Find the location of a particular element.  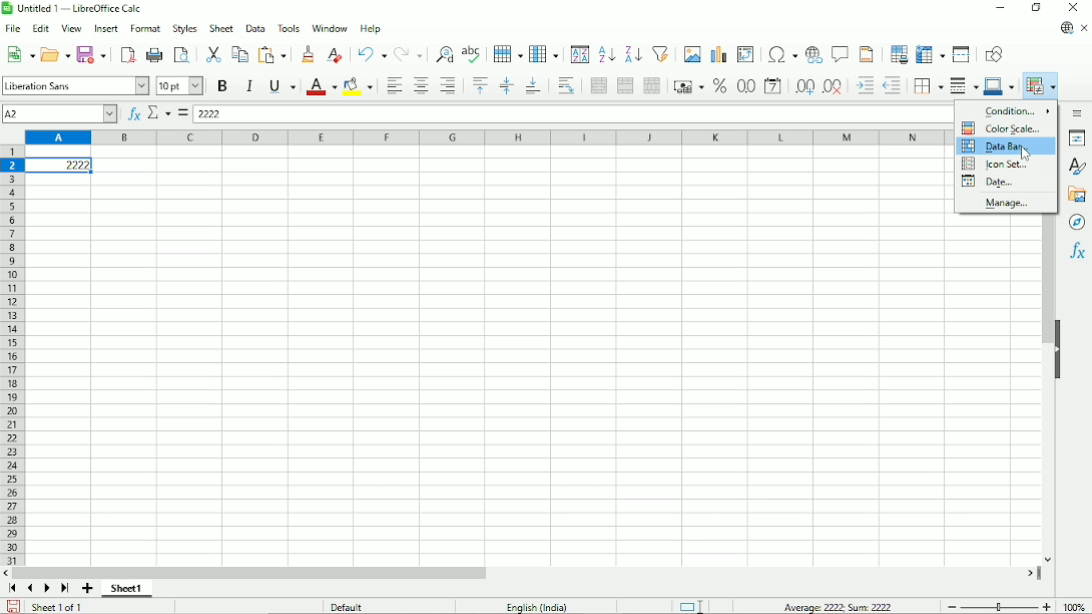

Styles is located at coordinates (184, 28).